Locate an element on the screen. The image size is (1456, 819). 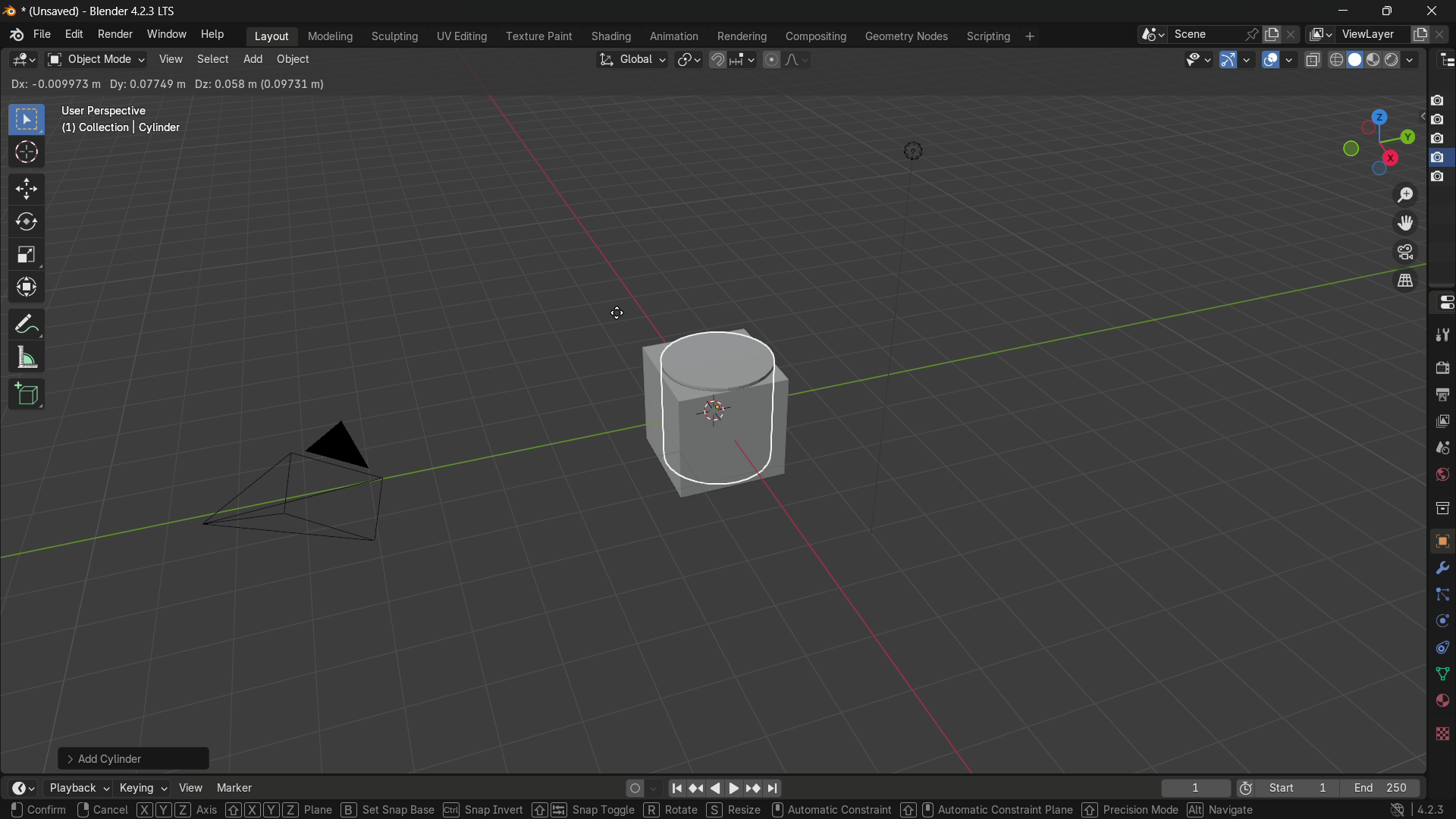
output is located at coordinates (1442, 396).